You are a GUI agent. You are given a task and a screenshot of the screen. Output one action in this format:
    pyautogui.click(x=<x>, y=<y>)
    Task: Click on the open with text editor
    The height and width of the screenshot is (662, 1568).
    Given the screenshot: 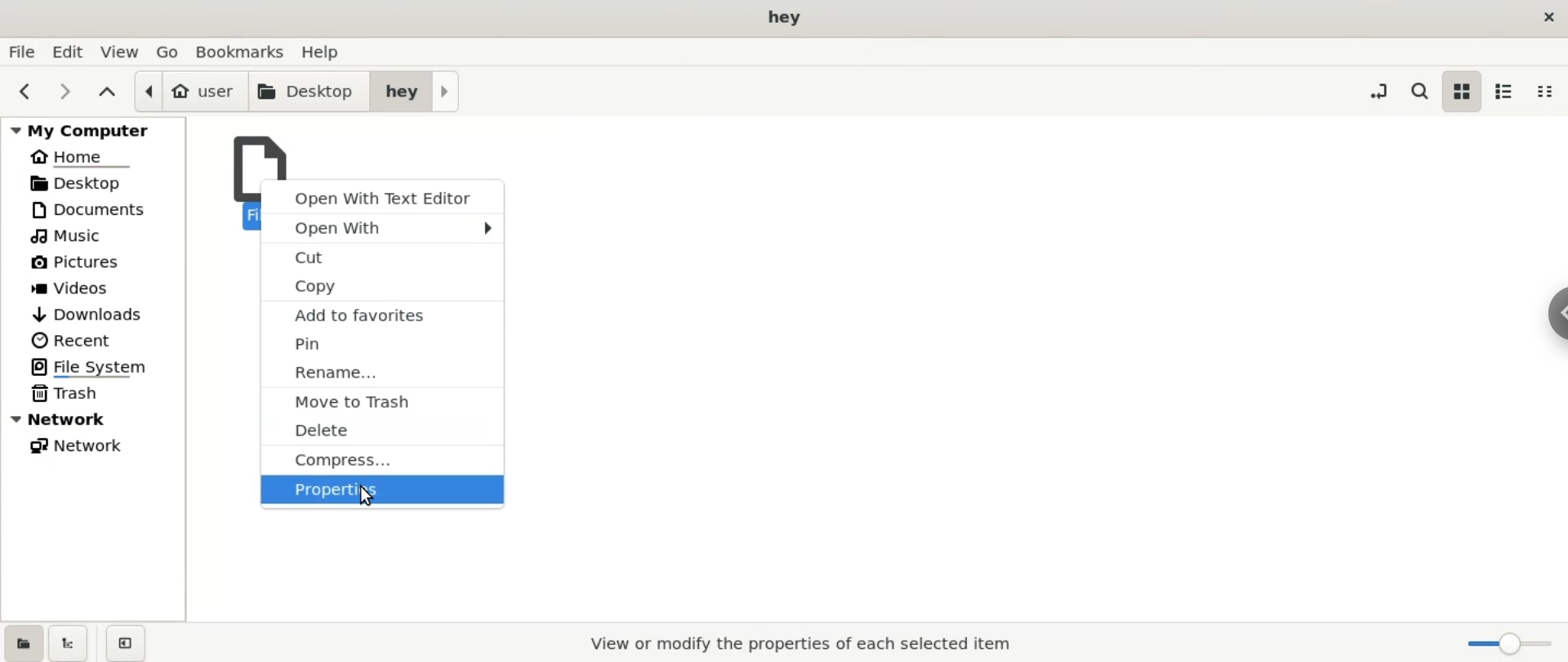 What is the action you would take?
    pyautogui.click(x=385, y=195)
    